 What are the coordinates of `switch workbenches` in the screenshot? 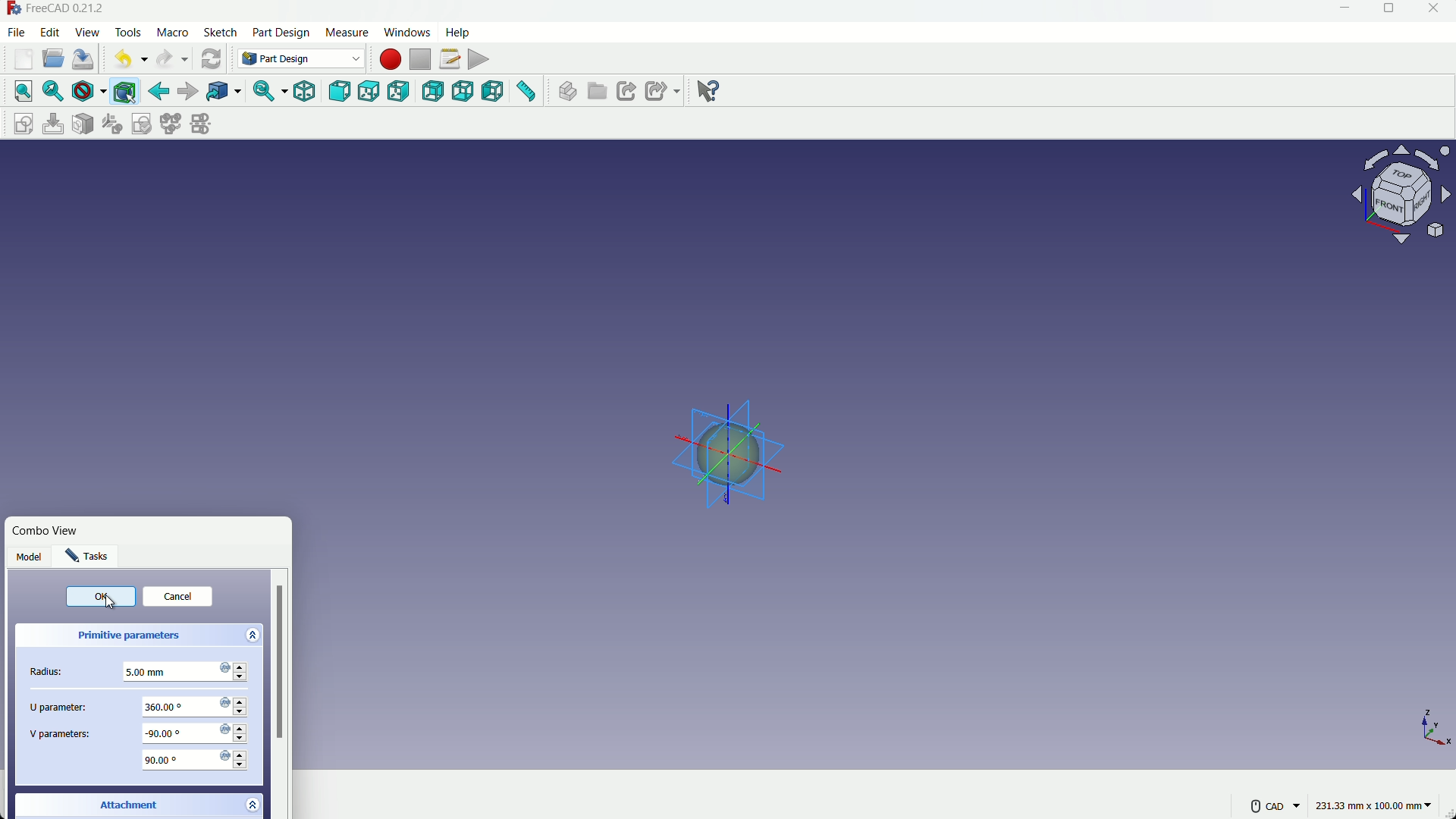 It's located at (298, 58).